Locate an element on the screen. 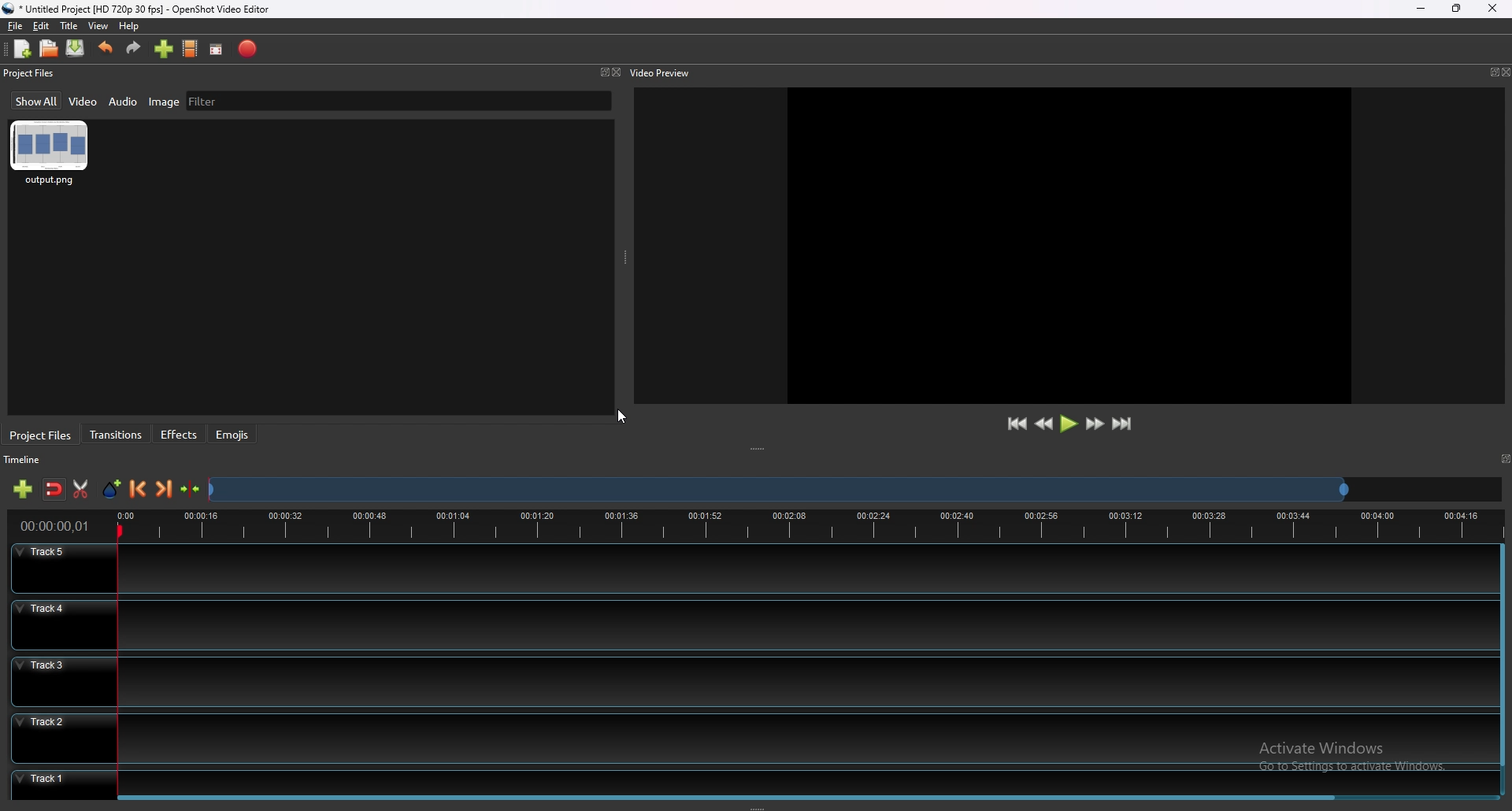 This screenshot has width=1512, height=811. project files is located at coordinates (42, 435).